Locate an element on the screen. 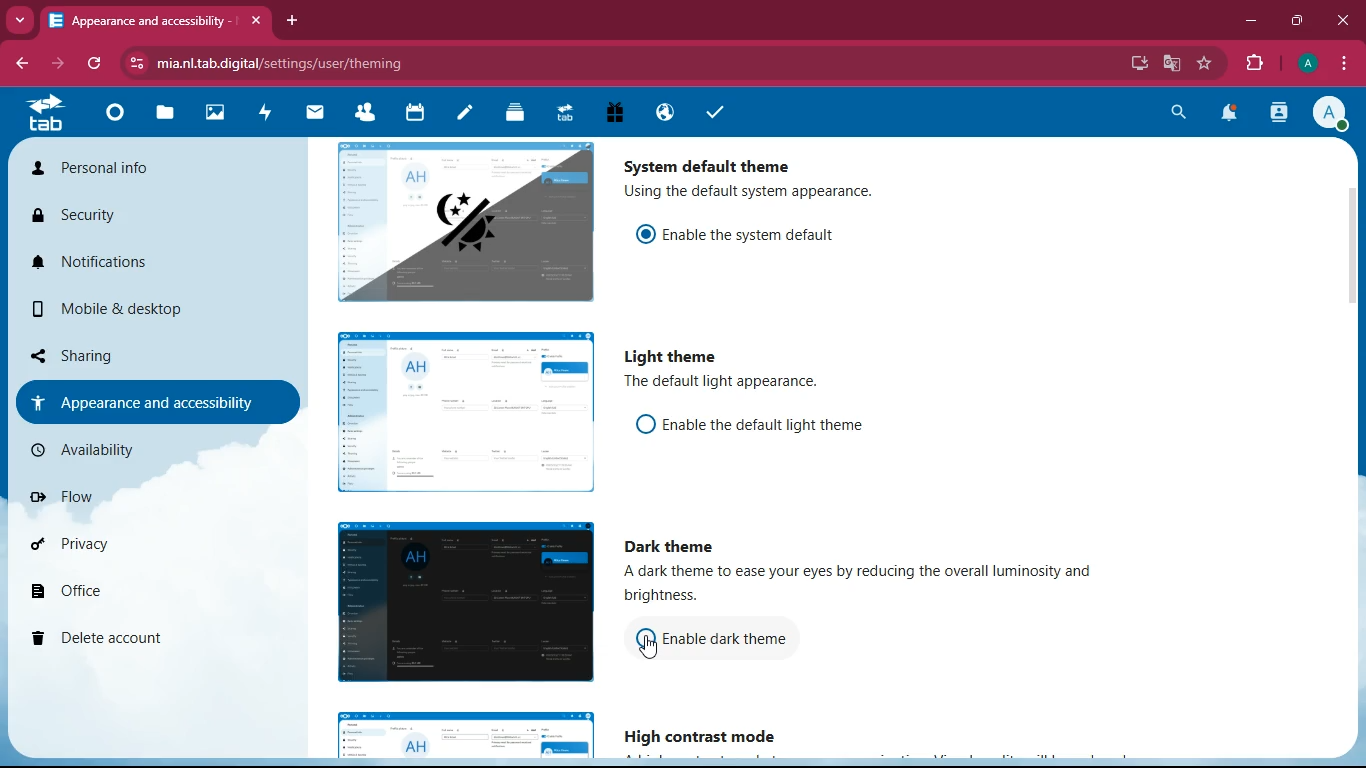 This screenshot has height=768, width=1366. close tab is located at coordinates (258, 21).